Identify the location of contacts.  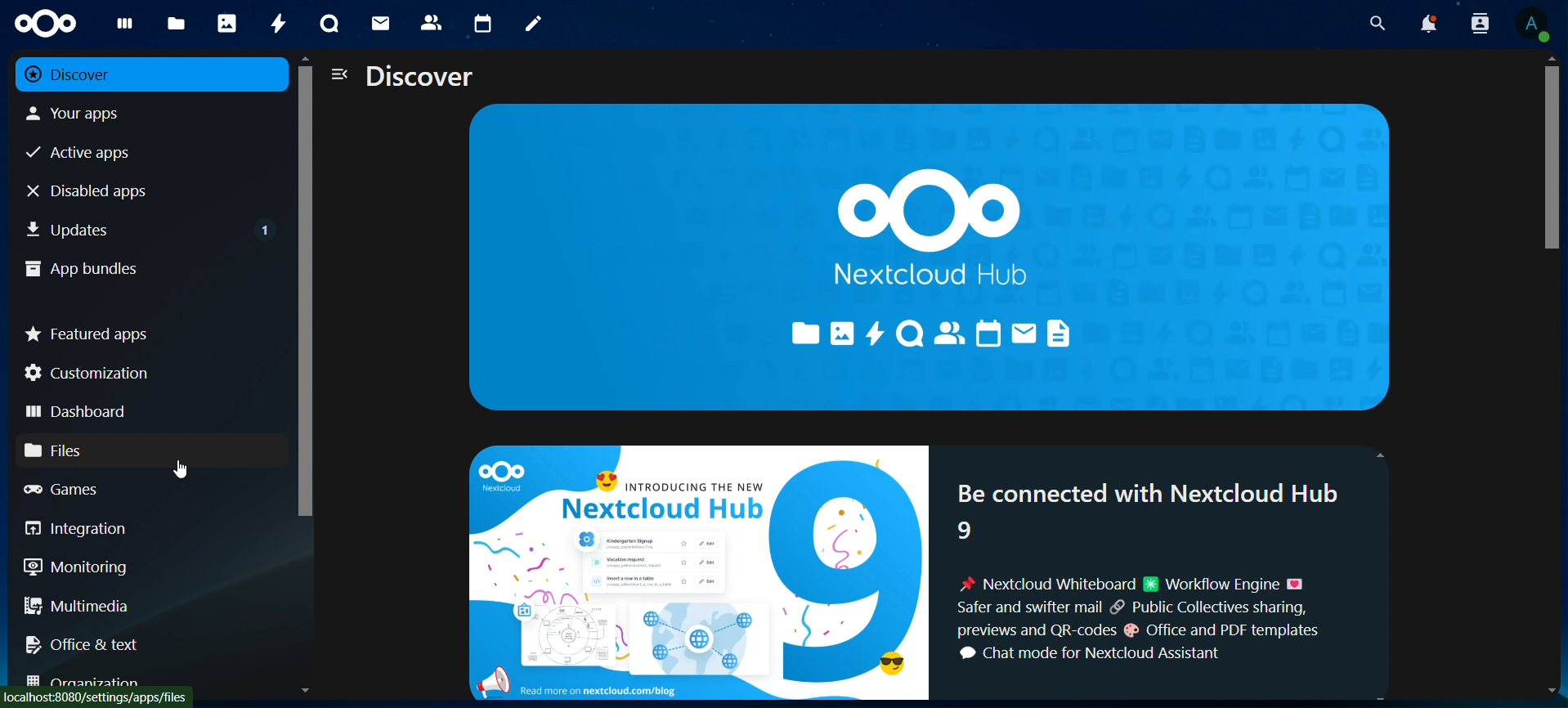
(431, 21).